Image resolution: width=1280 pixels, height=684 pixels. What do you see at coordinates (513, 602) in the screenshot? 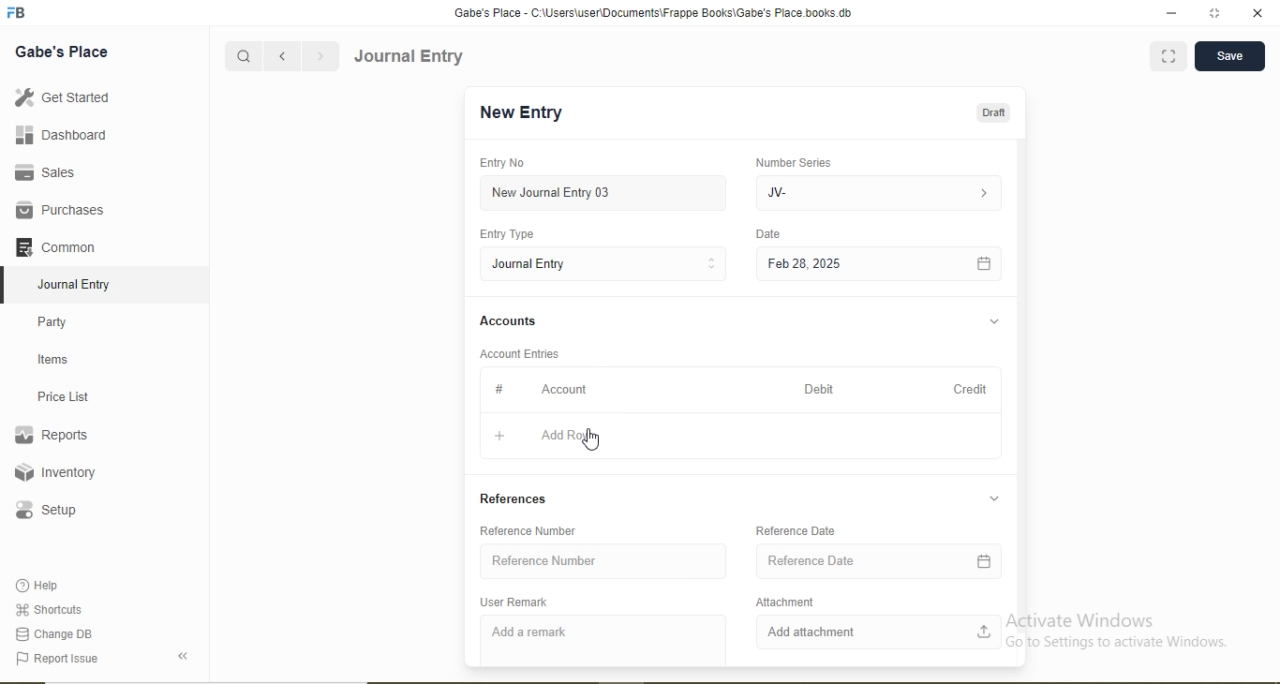
I see `User Remark` at bounding box center [513, 602].